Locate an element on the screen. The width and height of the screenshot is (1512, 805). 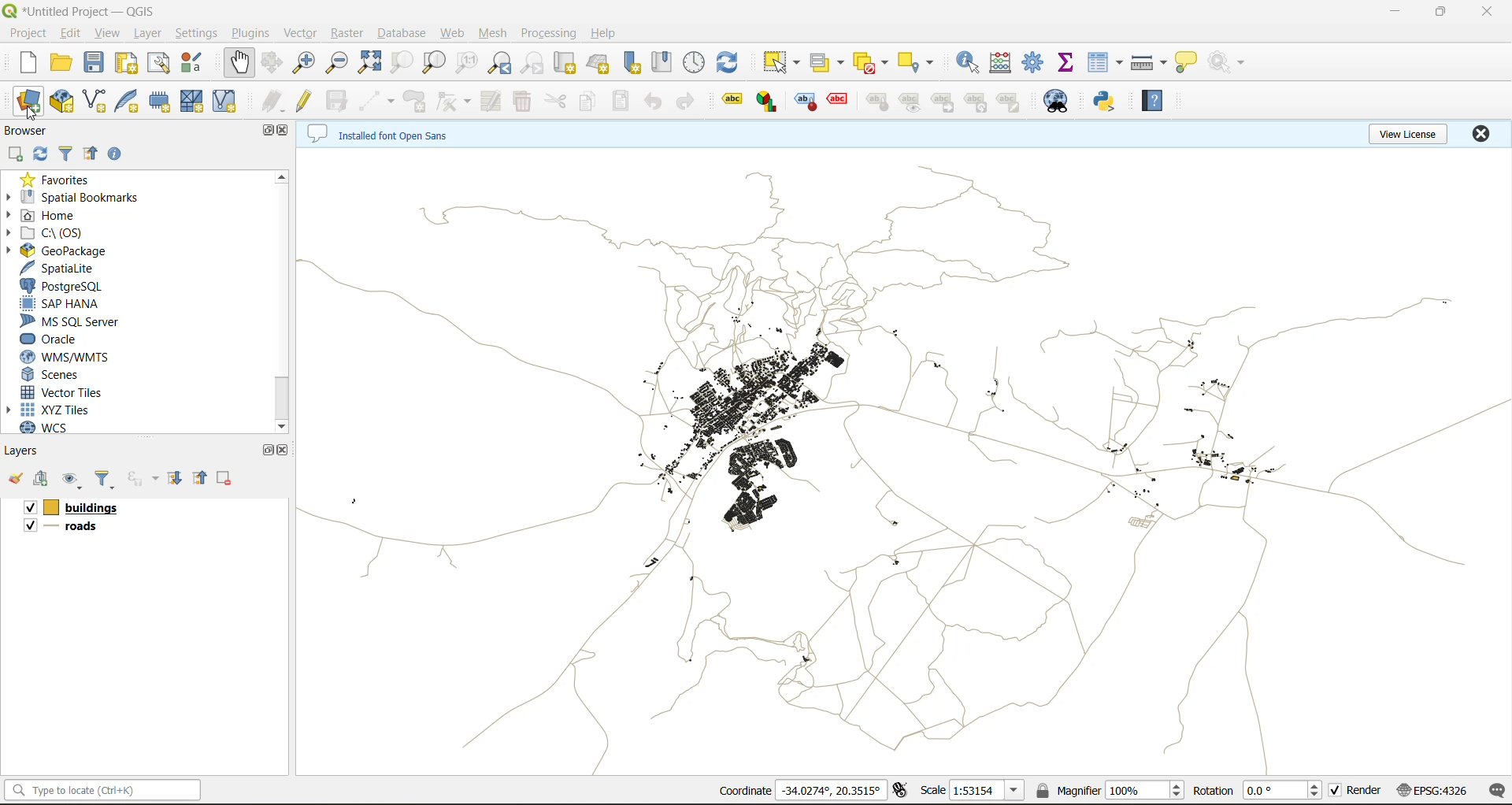
zoom layer is located at coordinates (435, 65).